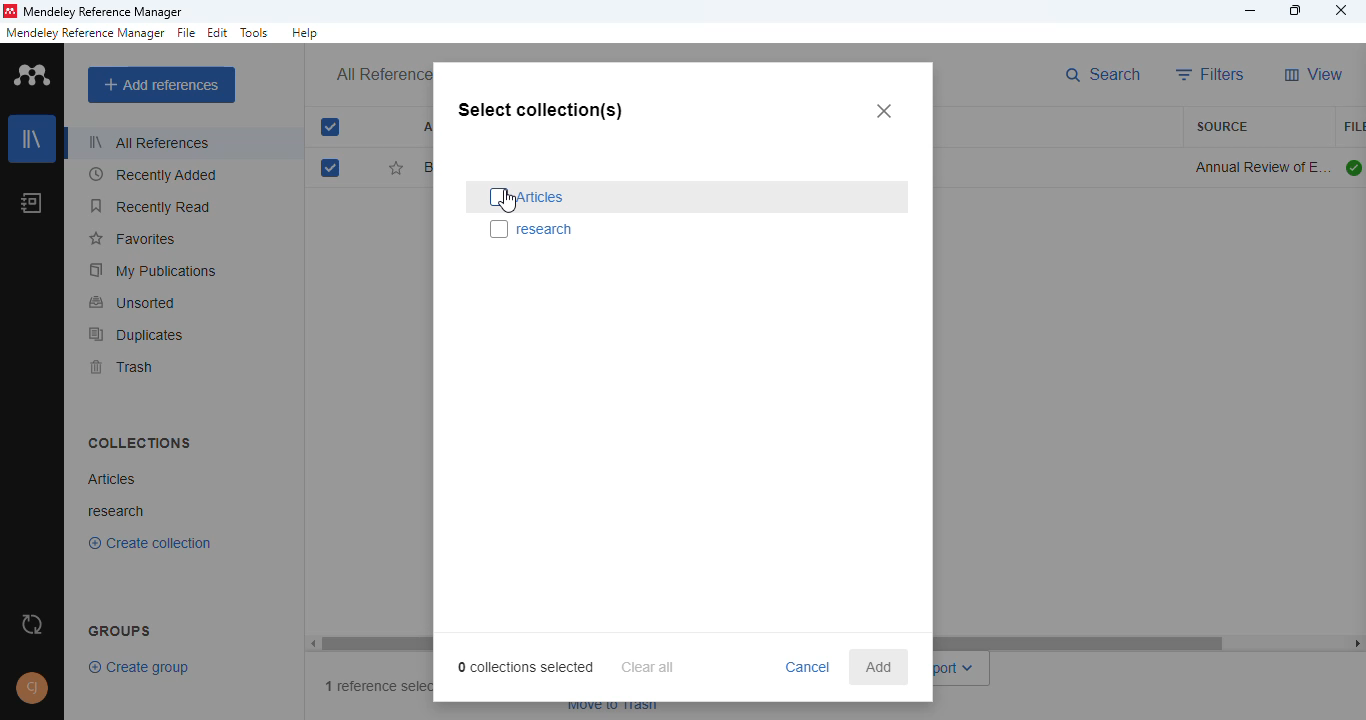  What do you see at coordinates (649, 667) in the screenshot?
I see `clear all` at bounding box center [649, 667].